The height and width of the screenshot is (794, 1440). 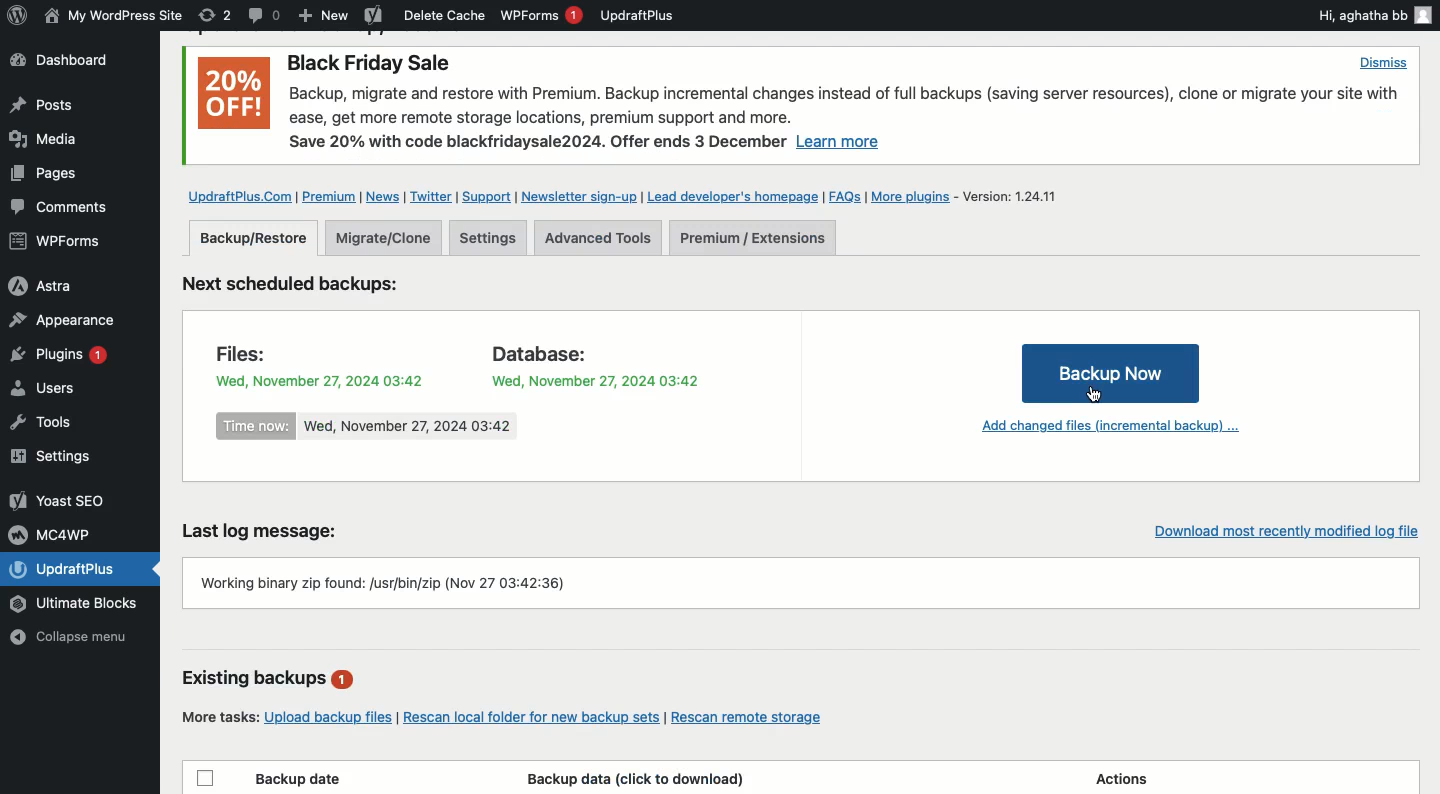 What do you see at coordinates (408, 427) in the screenshot?
I see `Wed, November 27, 2024 03:42` at bounding box center [408, 427].